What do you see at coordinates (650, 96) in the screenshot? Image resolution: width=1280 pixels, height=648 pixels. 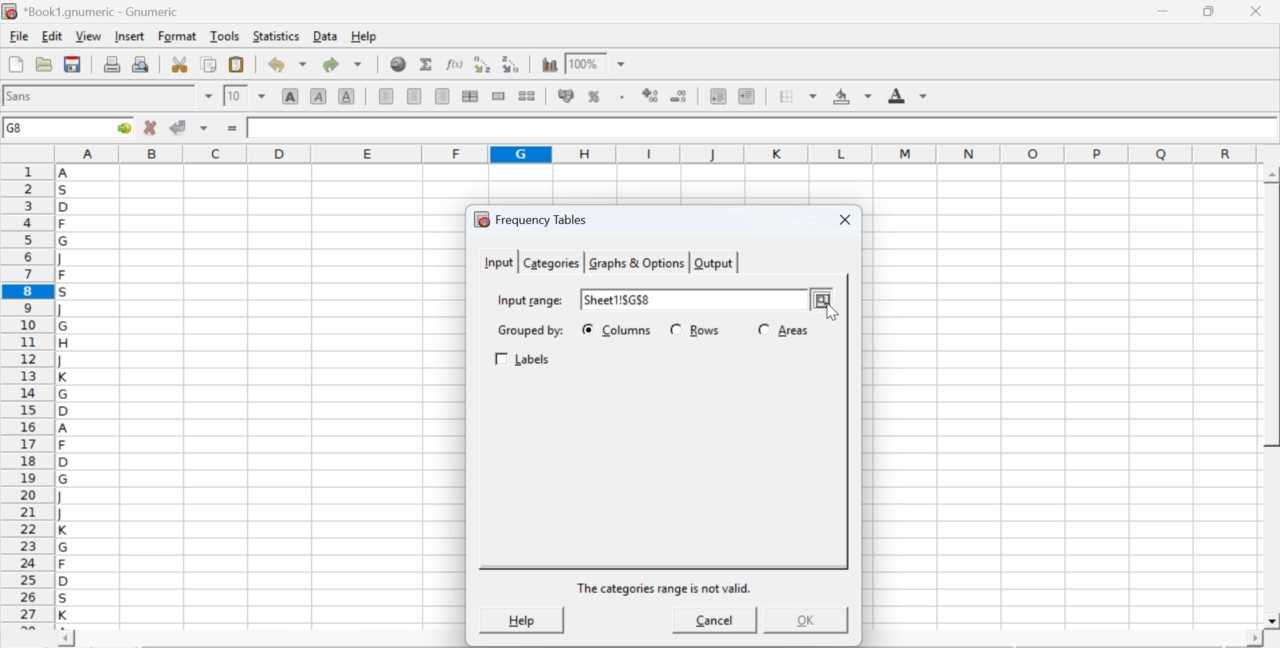 I see `decrease number of decimals displayed` at bounding box center [650, 96].